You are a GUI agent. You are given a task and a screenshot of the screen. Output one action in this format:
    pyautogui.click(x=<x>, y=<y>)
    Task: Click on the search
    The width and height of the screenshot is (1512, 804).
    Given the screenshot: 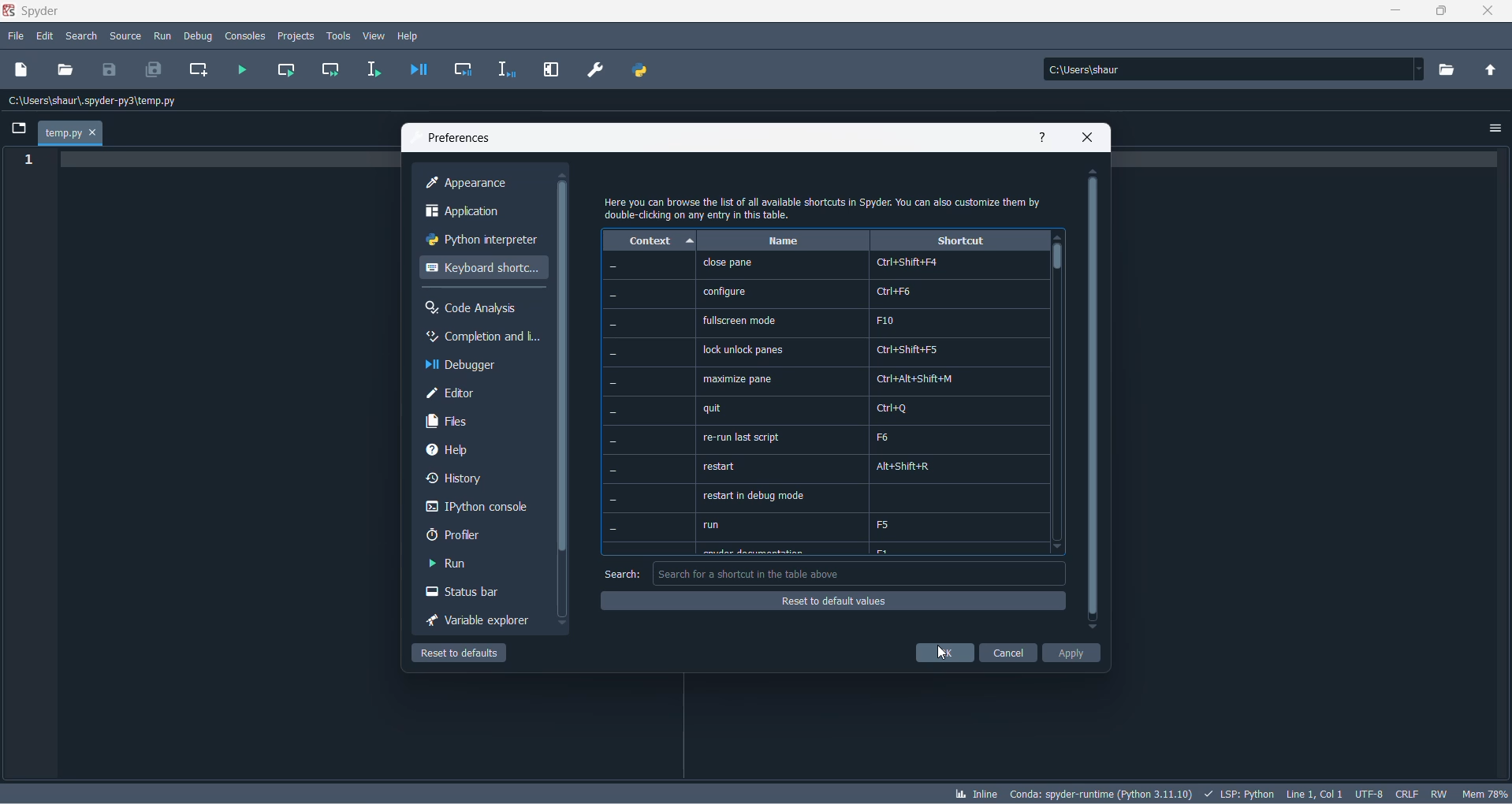 What is the action you would take?
    pyautogui.click(x=86, y=37)
    